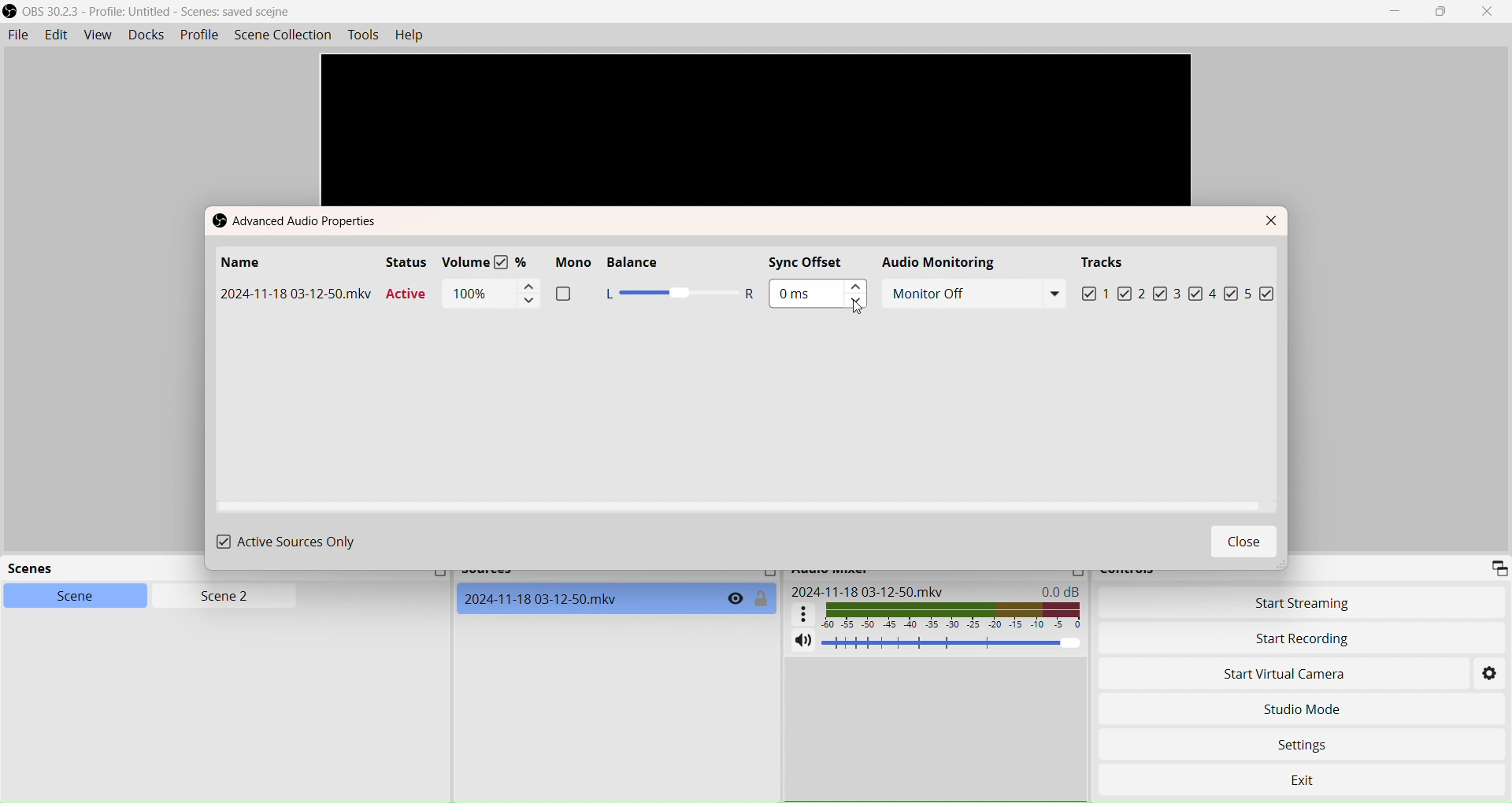 Image resolution: width=1512 pixels, height=803 pixels. What do you see at coordinates (570, 283) in the screenshot?
I see `Mono` at bounding box center [570, 283].